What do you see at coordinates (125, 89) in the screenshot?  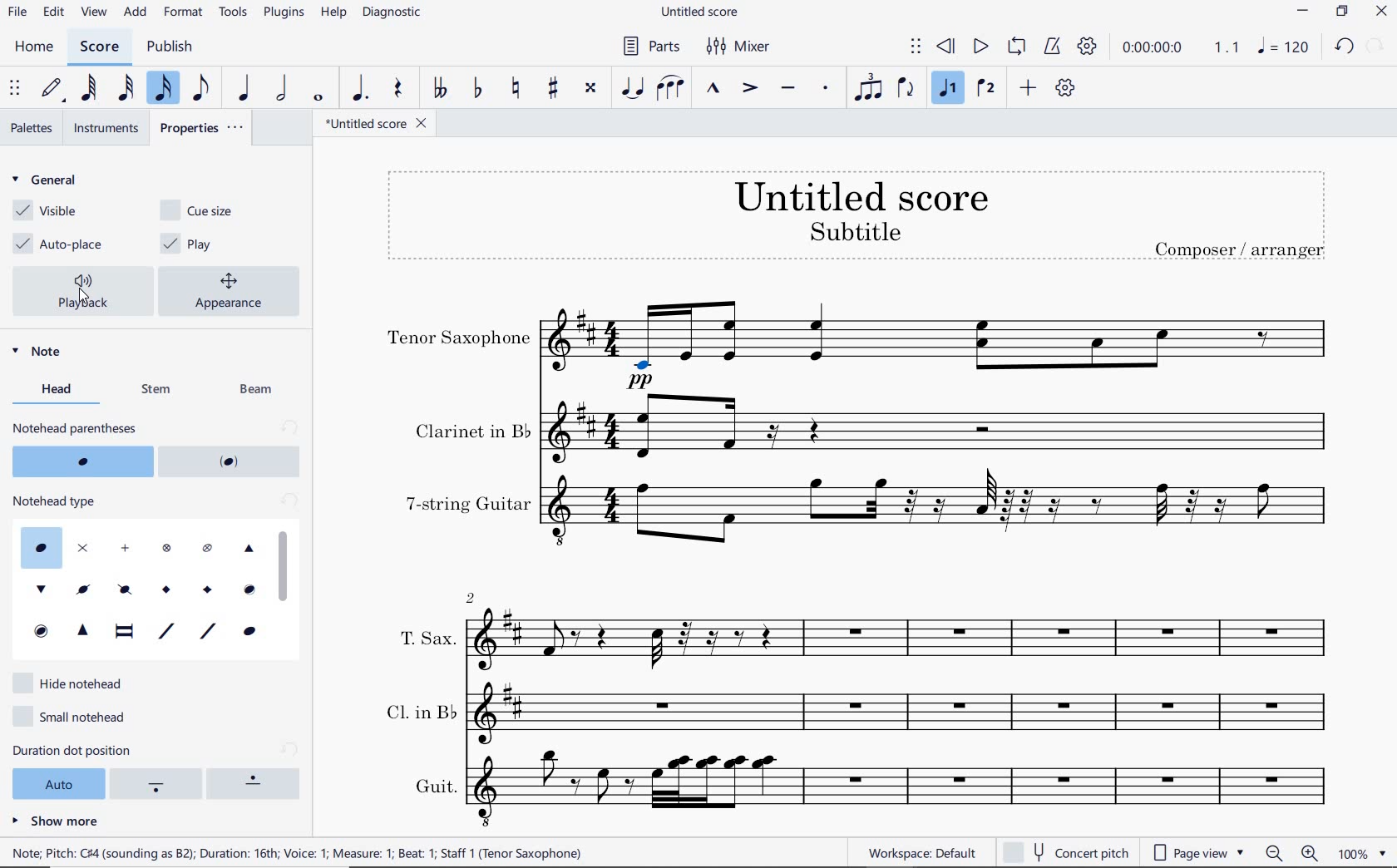 I see `32ND NOTE` at bounding box center [125, 89].